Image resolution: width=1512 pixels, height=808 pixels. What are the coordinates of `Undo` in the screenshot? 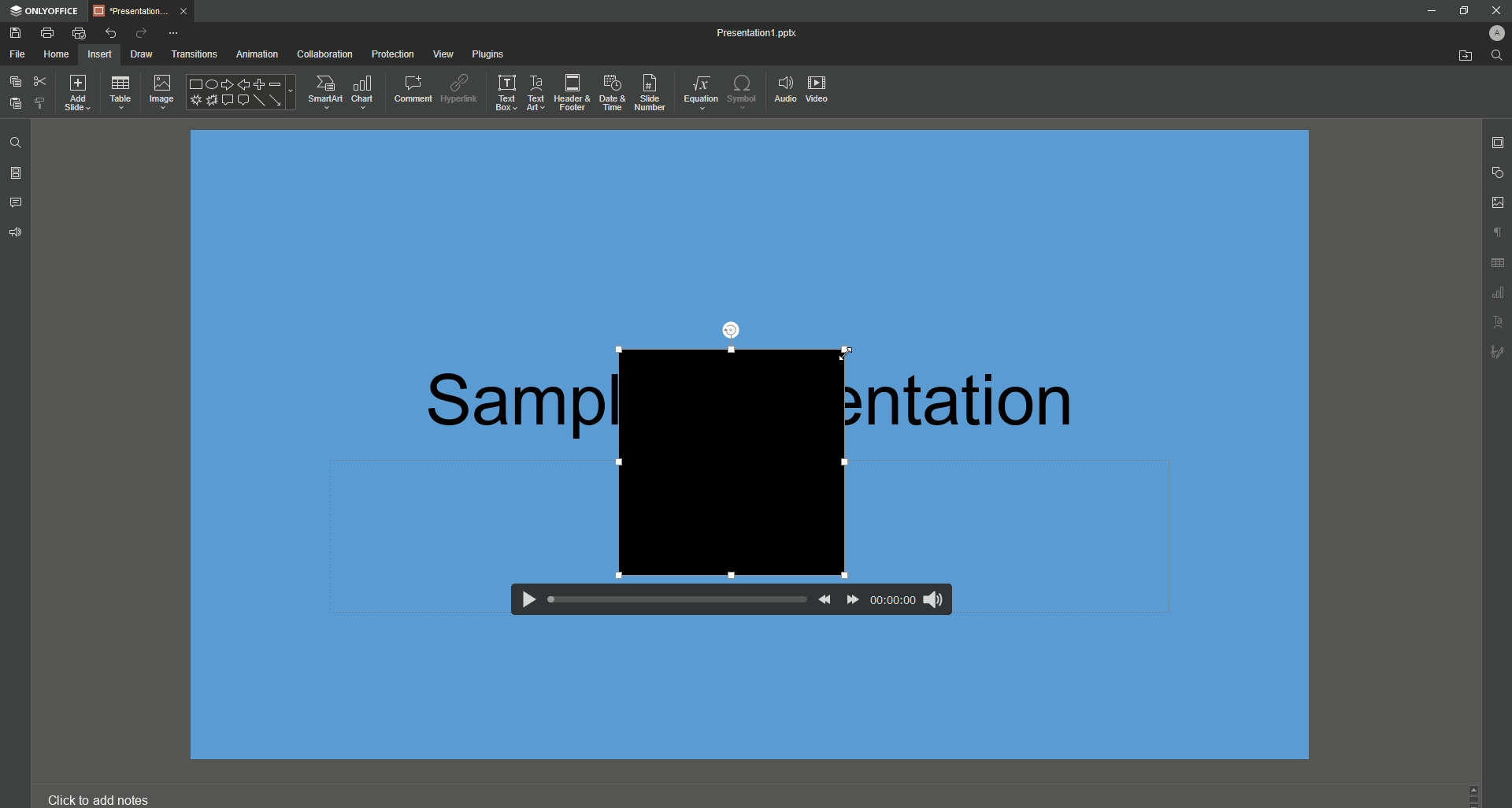 It's located at (110, 31).